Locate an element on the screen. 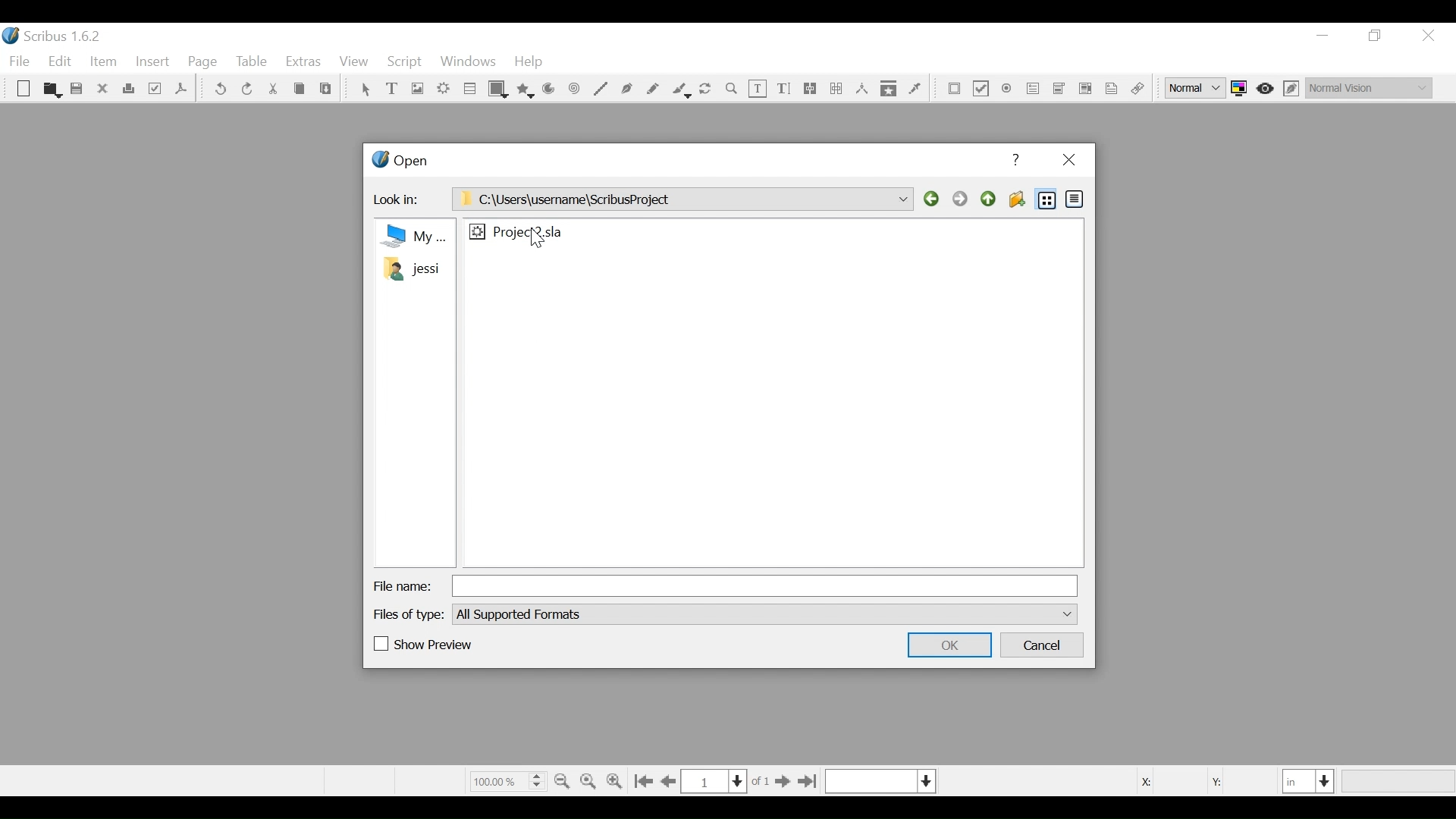 The height and width of the screenshot is (819, 1456). Go to next Page is located at coordinates (780, 783).